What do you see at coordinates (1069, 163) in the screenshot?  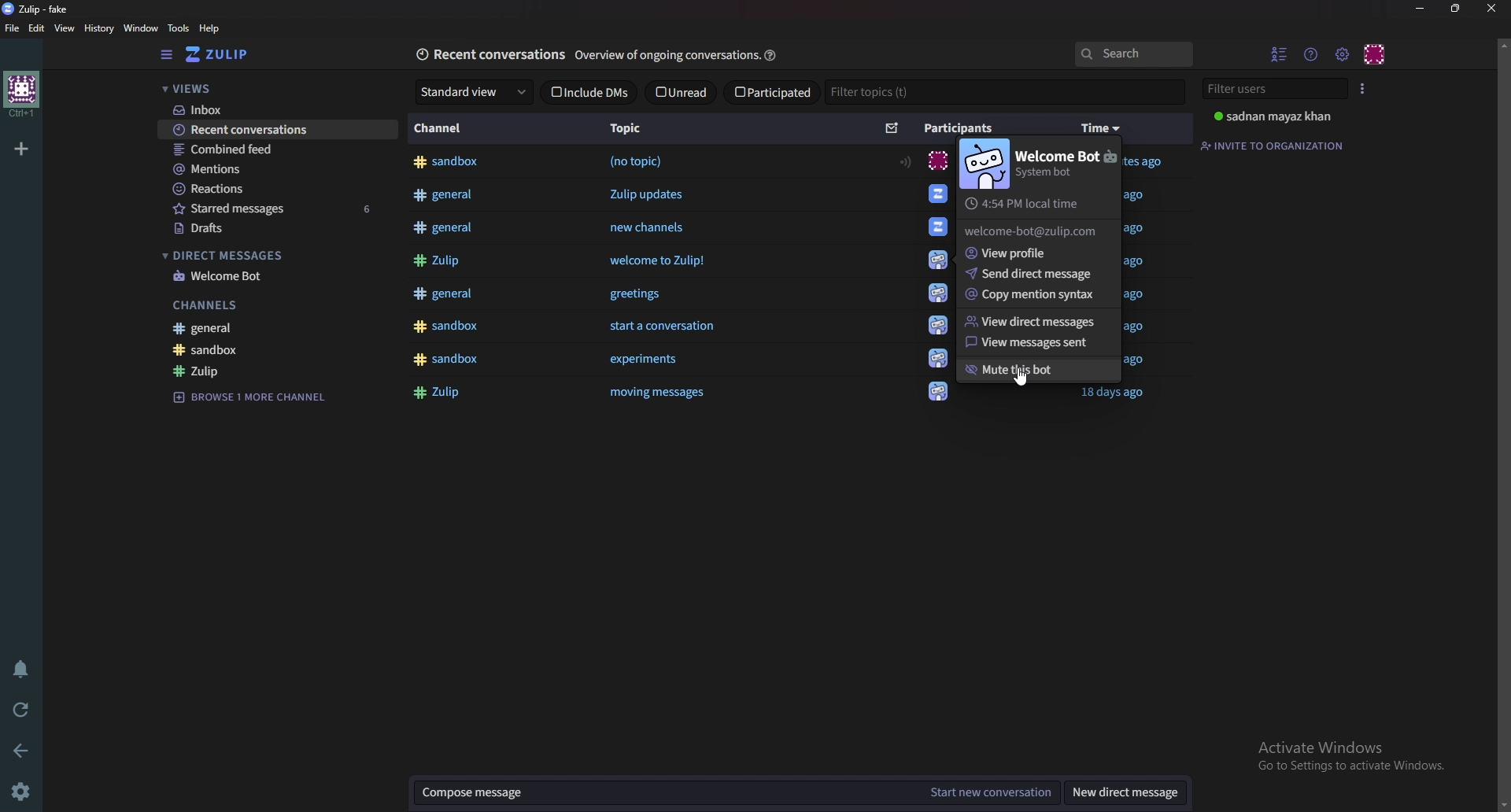 I see `welcome bot` at bounding box center [1069, 163].